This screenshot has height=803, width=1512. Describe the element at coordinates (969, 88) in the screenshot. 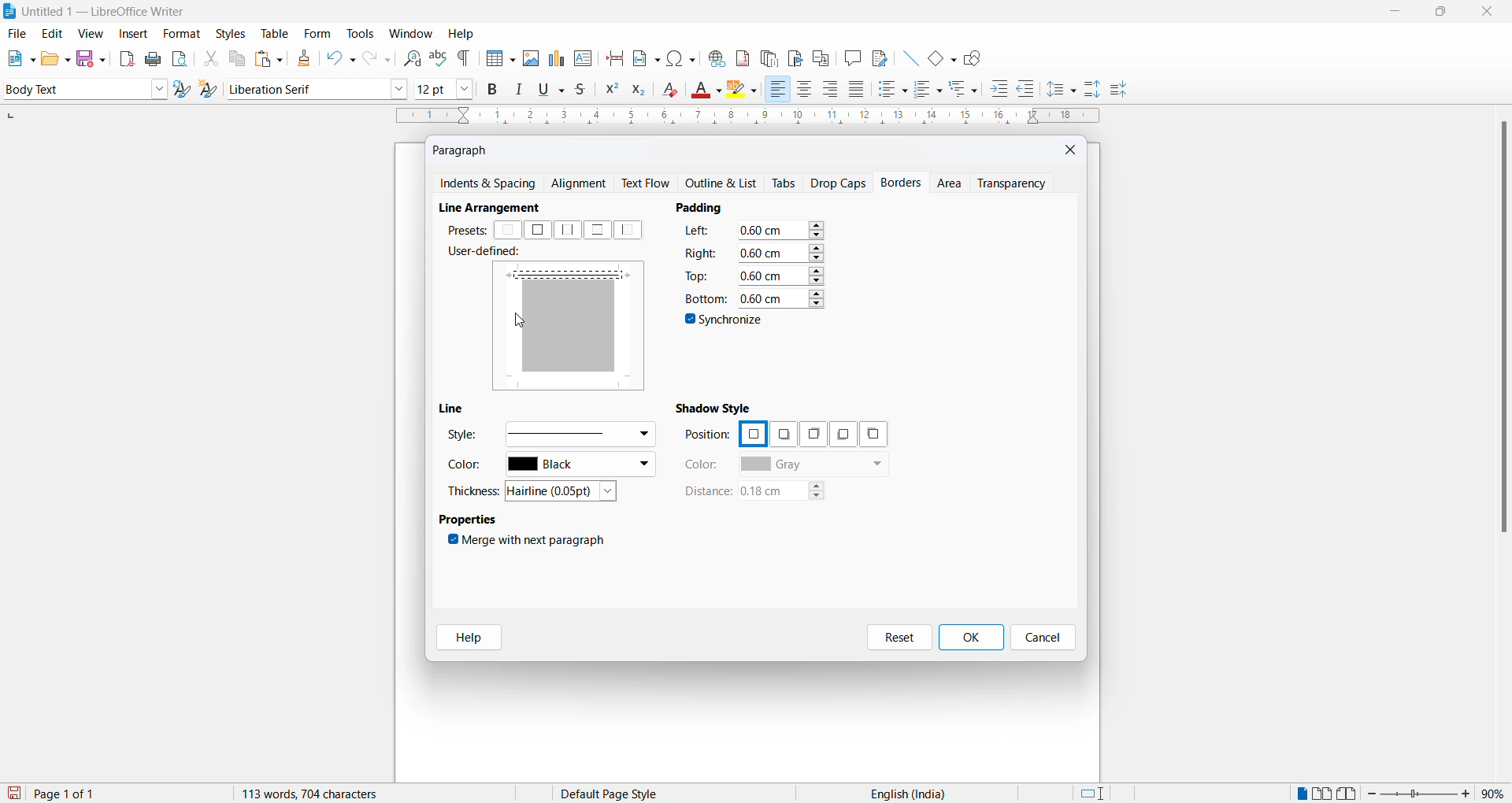

I see `select outline format` at that location.